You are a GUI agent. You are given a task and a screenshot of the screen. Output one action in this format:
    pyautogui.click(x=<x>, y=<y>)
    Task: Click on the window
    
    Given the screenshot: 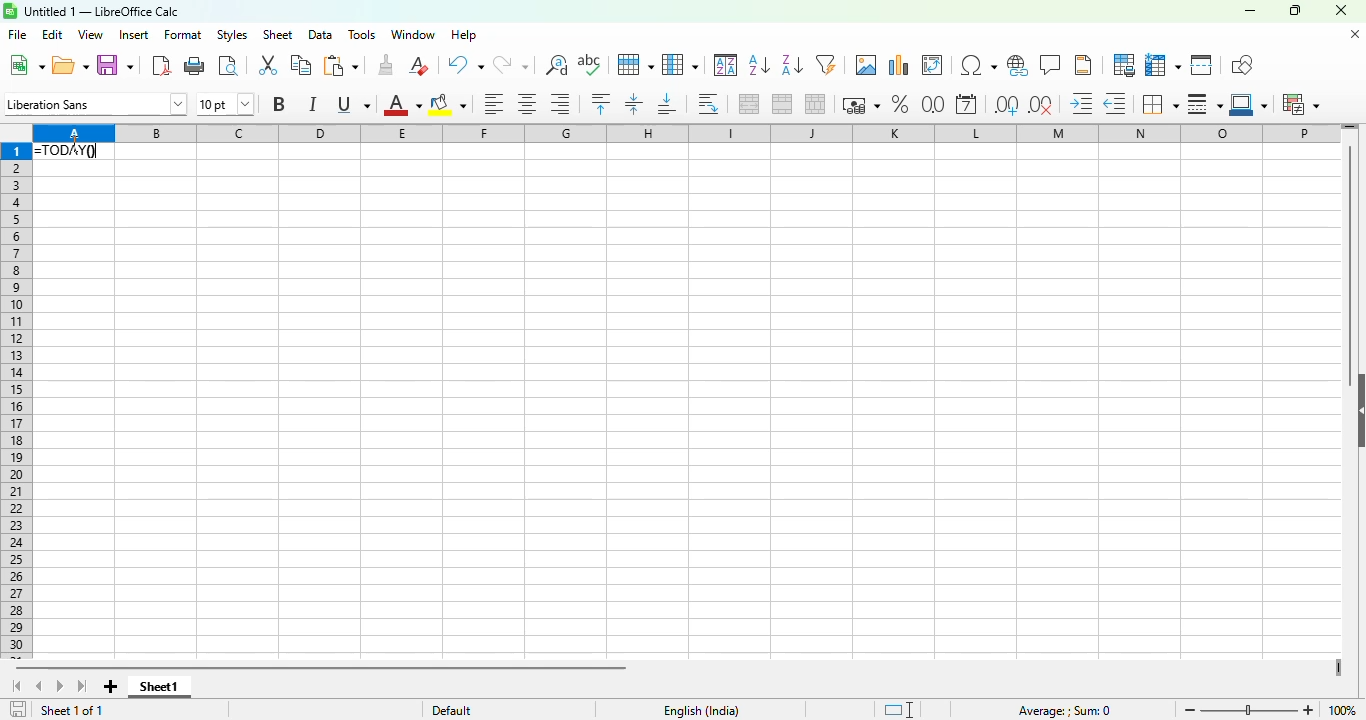 What is the action you would take?
    pyautogui.click(x=414, y=34)
    